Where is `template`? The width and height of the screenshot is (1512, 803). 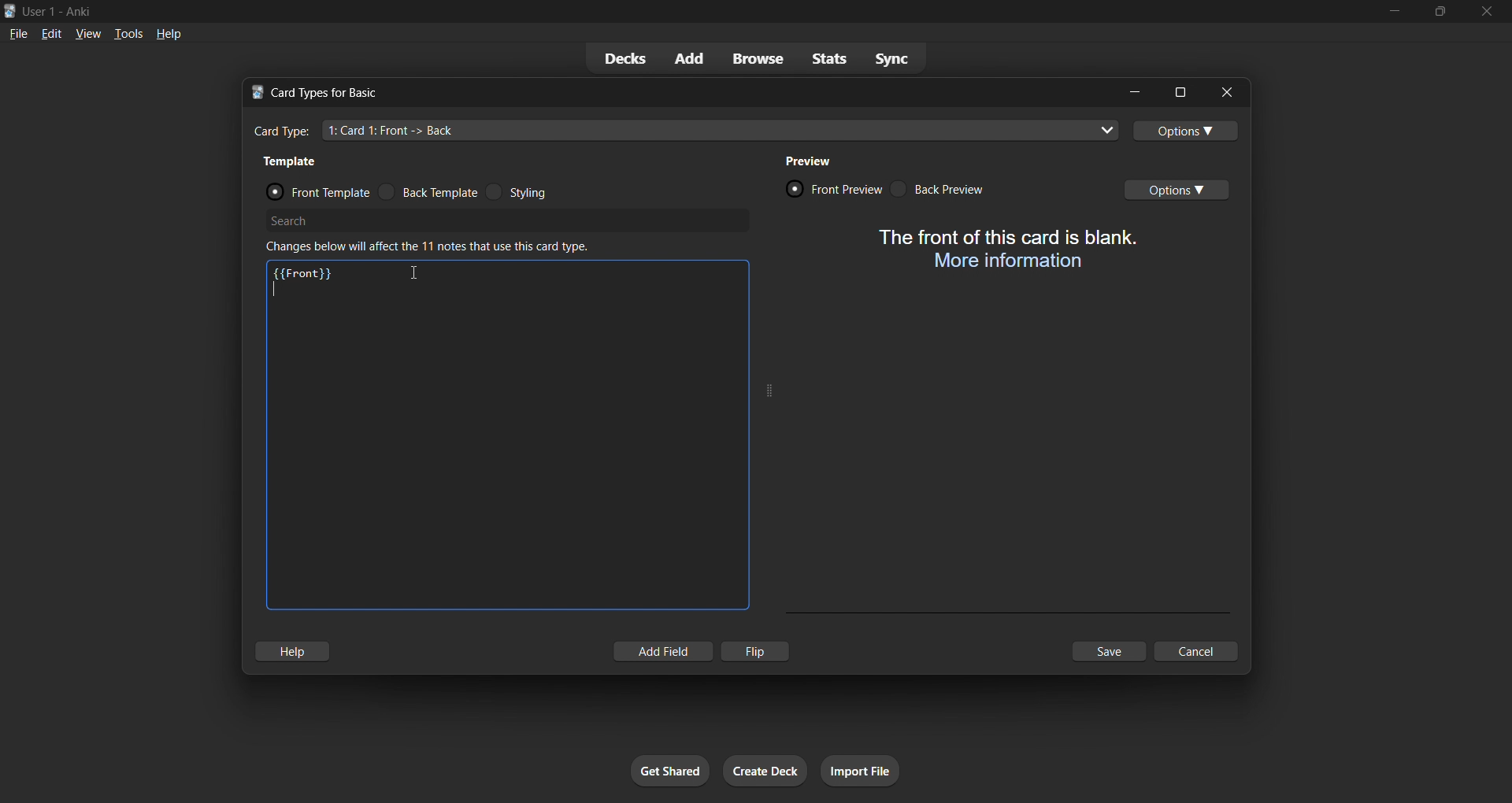 template is located at coordinates (295, 160).